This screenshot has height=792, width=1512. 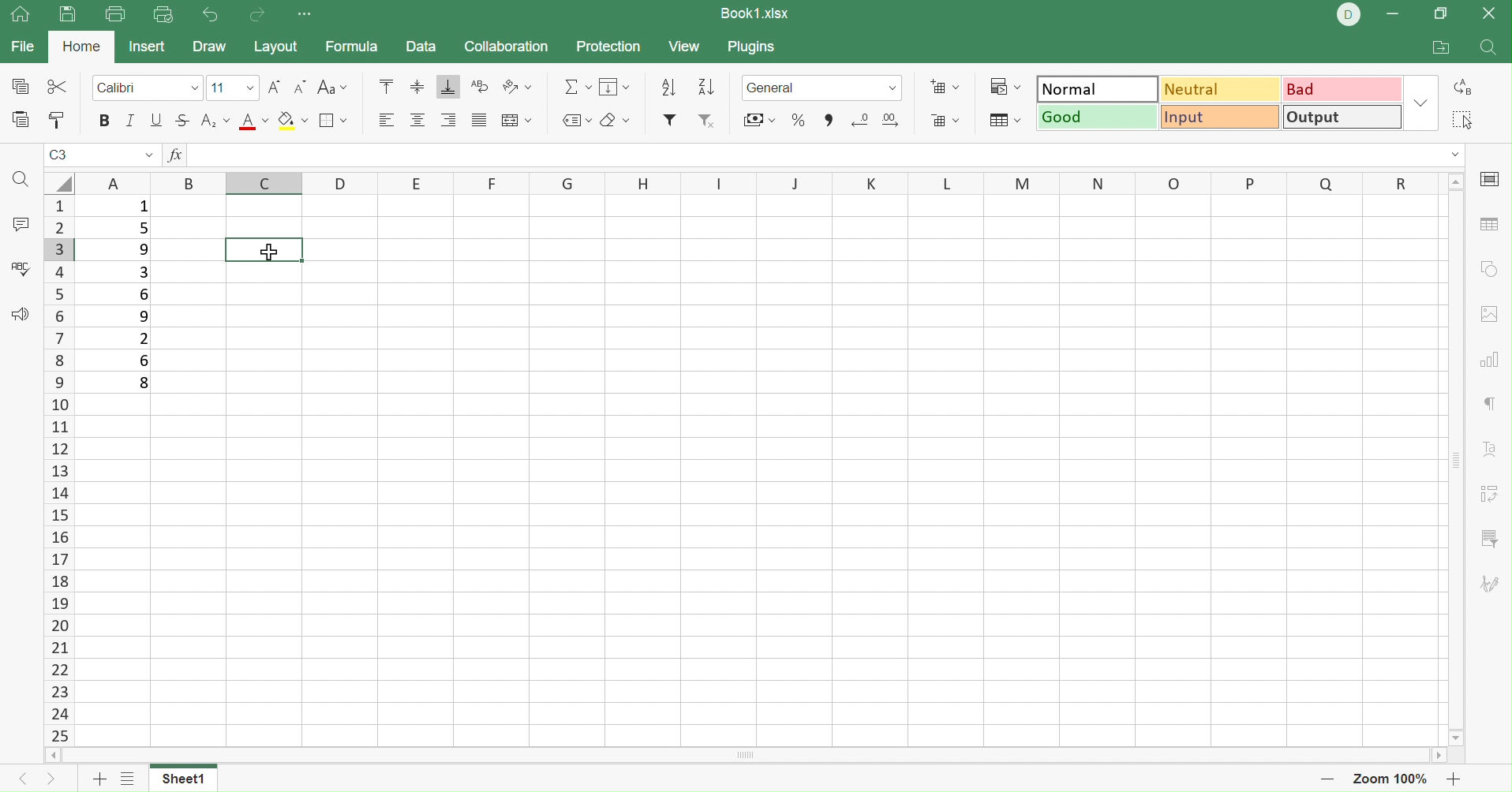 I want to click on Add sheets, so click(x=129, y=779).